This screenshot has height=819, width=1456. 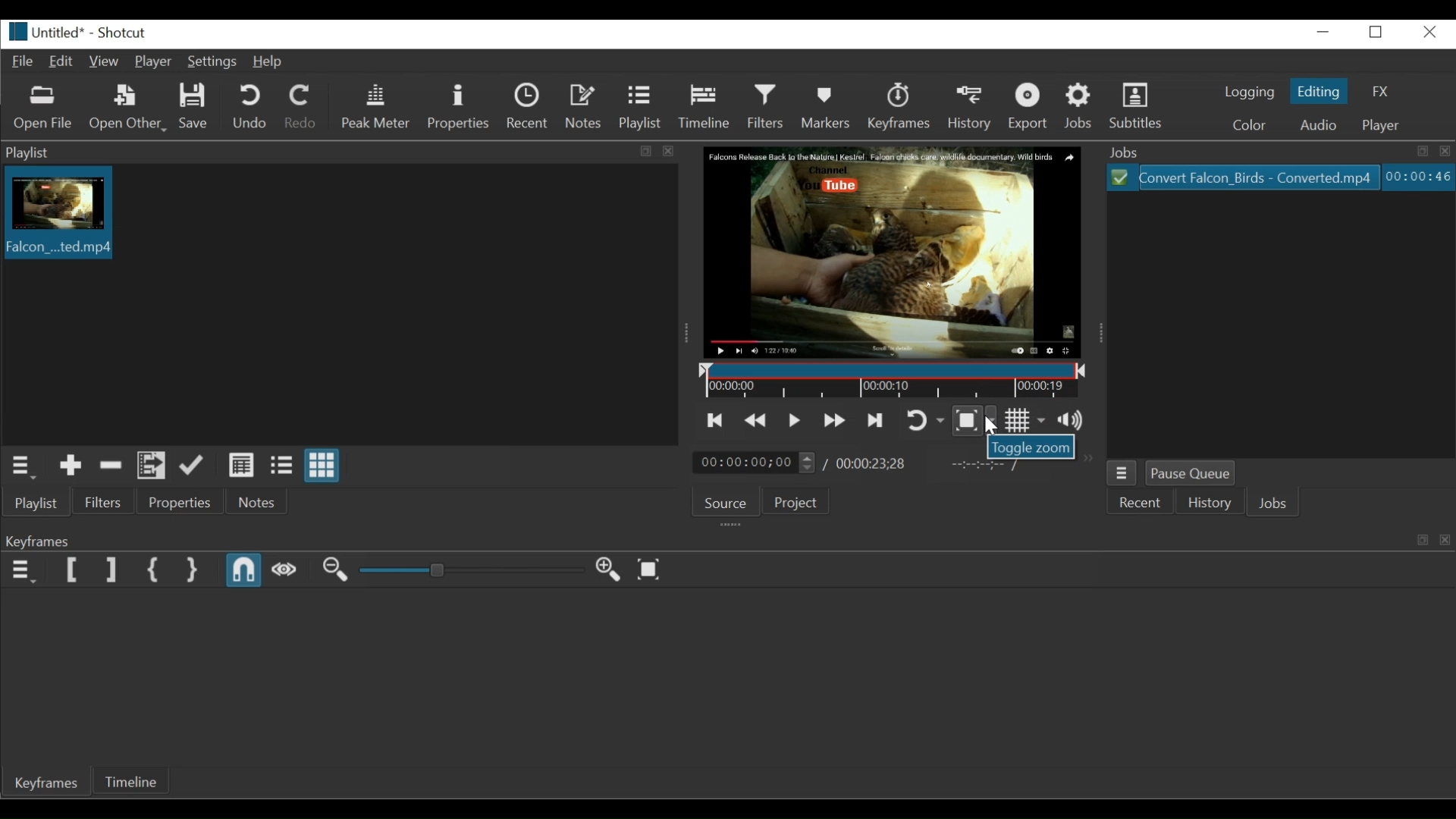 I want to click on Add the Source to the playlist, so click(x=70, y=466).